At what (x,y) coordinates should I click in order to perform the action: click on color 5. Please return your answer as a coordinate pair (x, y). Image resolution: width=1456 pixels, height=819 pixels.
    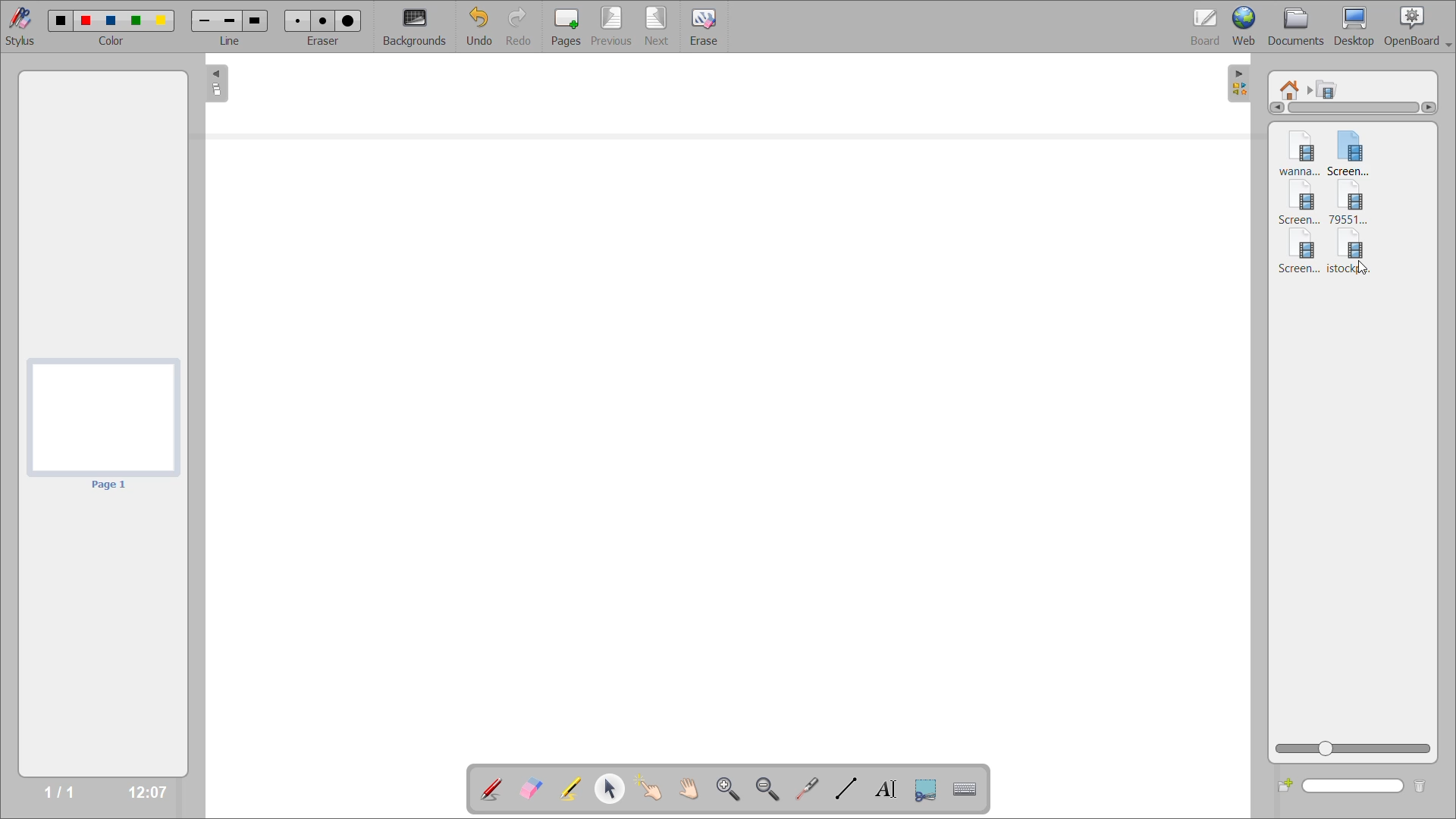
    Looking at the image, I should click on (163, 20).